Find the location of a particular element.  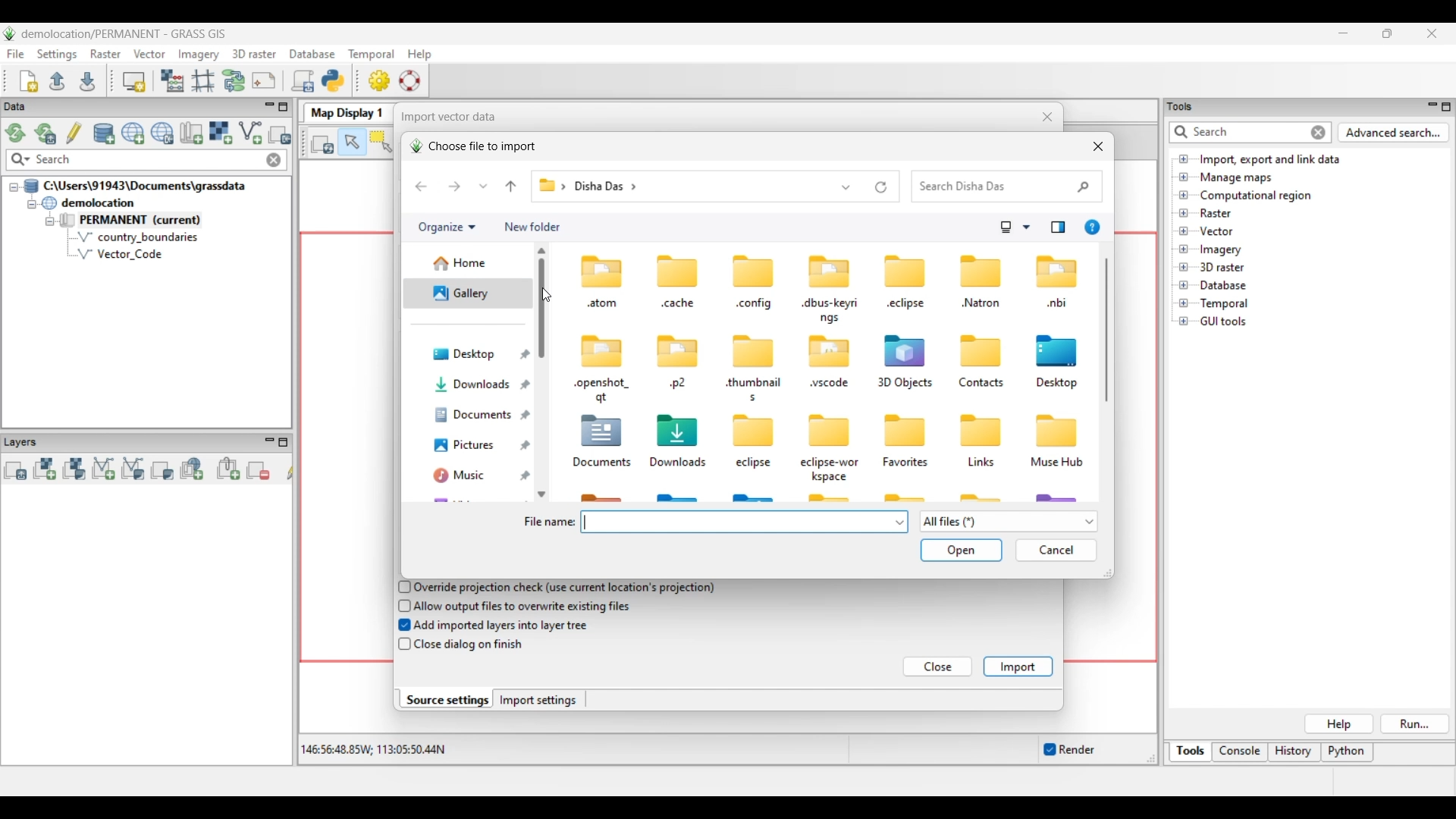

icon is located at coordinates (678, 350).